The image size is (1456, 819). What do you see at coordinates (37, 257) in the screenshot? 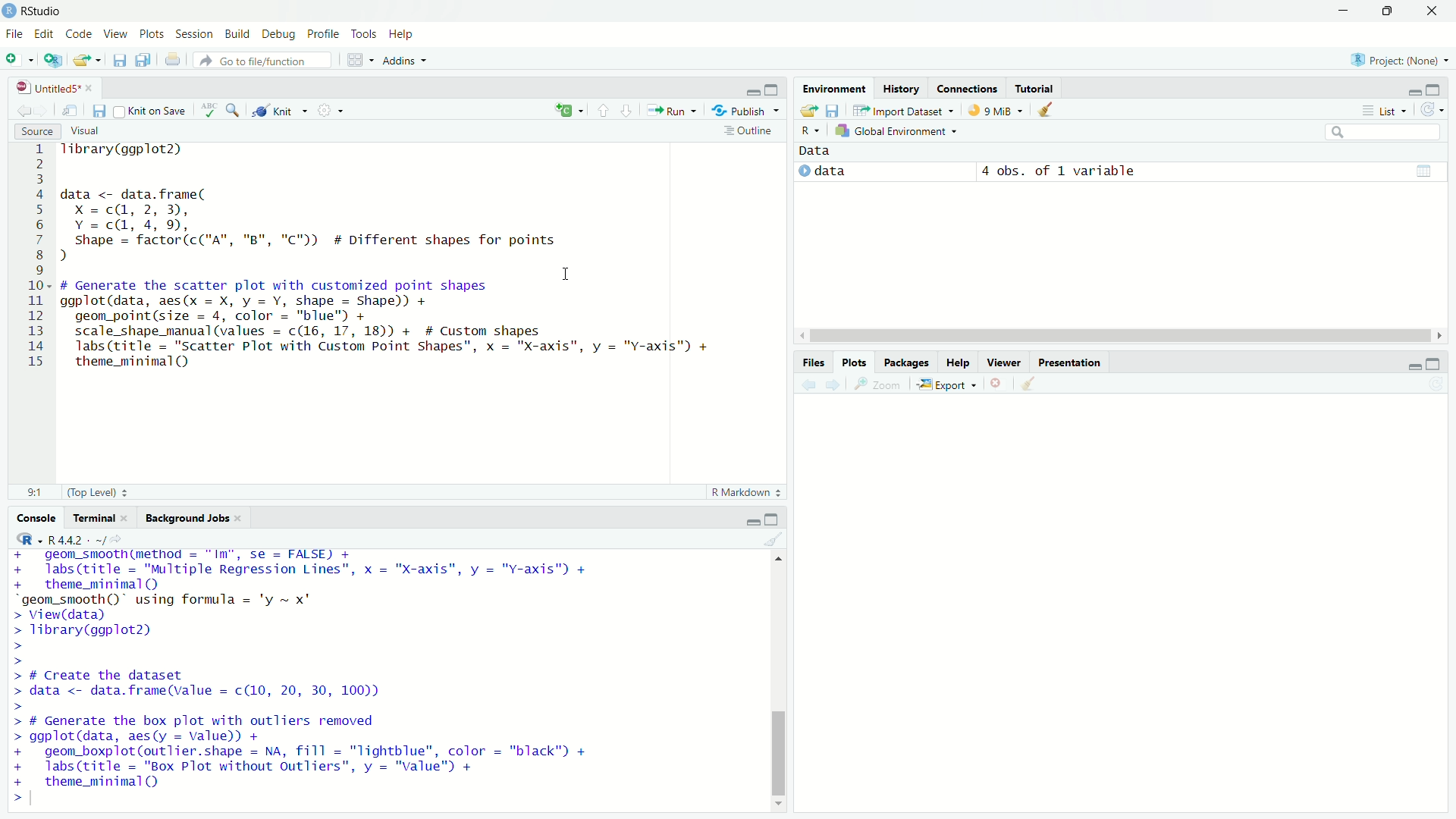
I see `Line numbers` at bounding box center [37, 257].